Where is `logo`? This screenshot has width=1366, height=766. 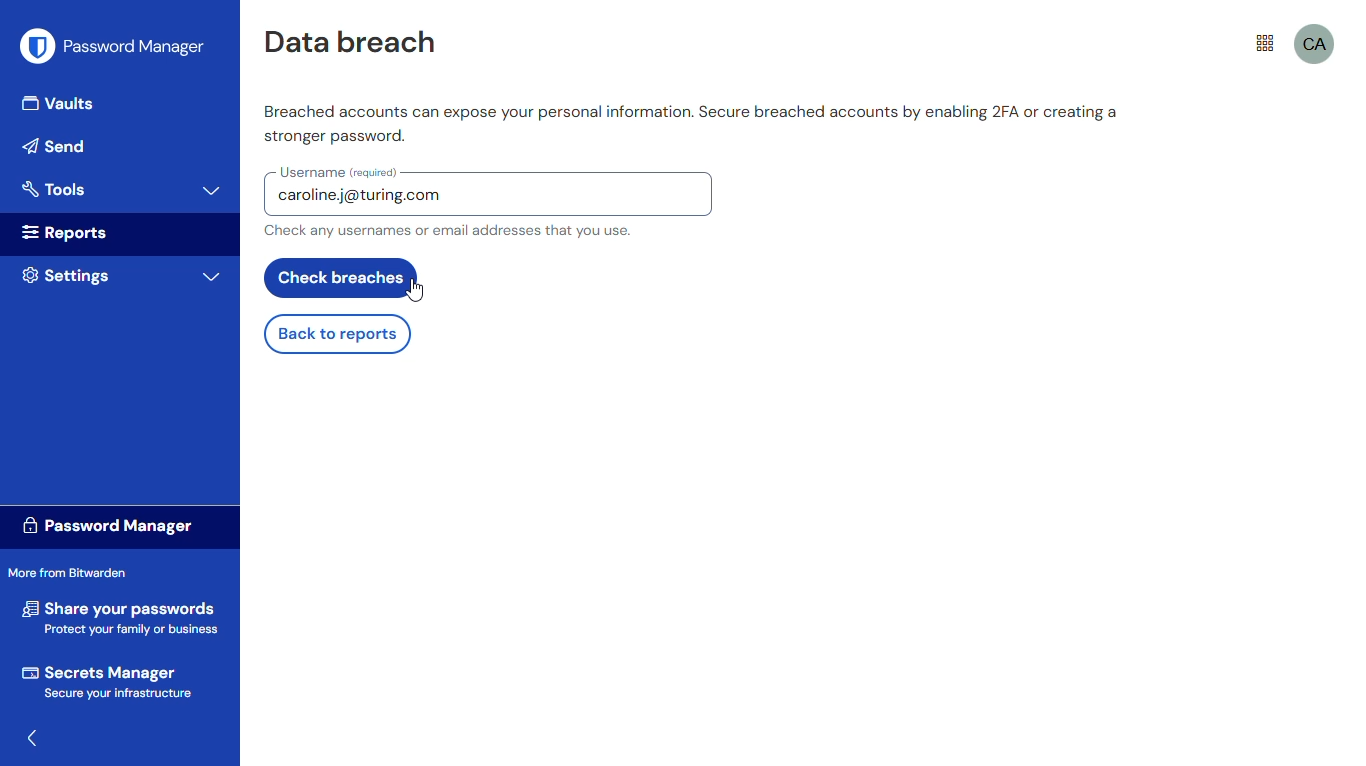
logo is located at coordinates (38, 46).